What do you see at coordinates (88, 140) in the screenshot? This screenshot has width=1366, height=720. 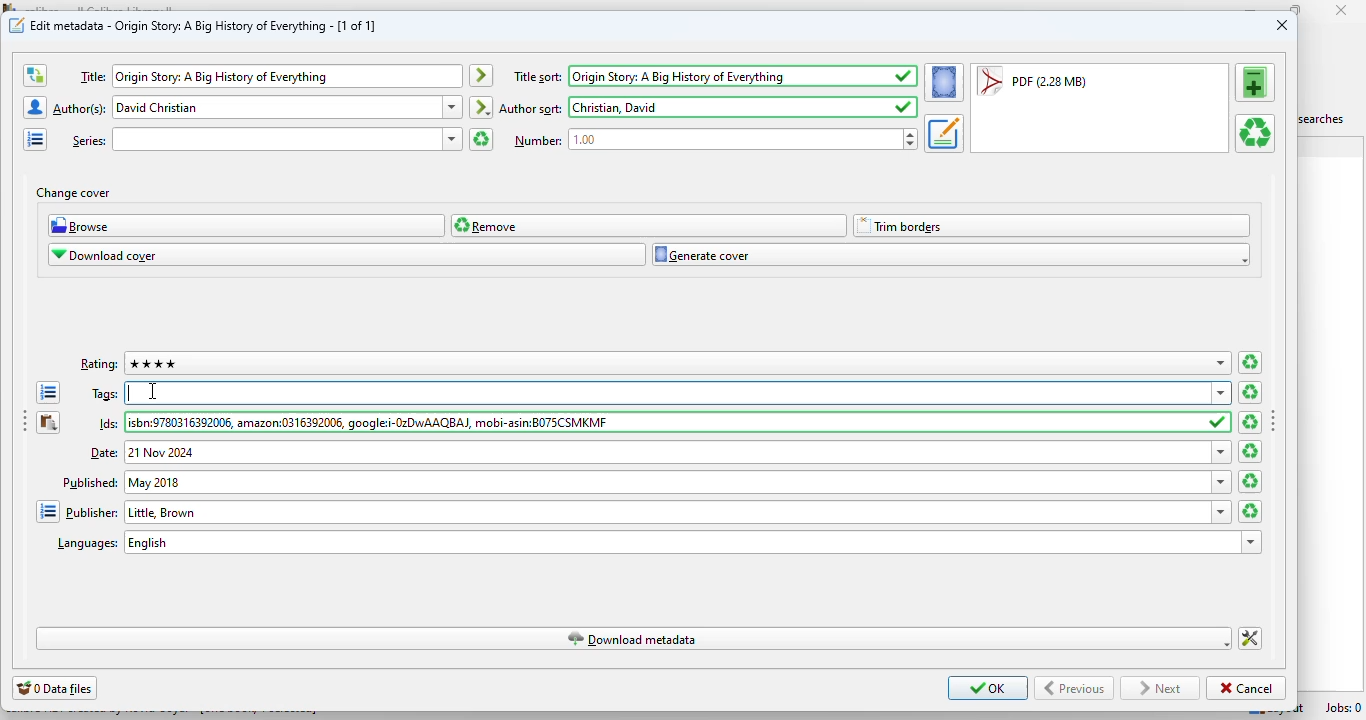 I see `text` at bounding box center [88, 140].